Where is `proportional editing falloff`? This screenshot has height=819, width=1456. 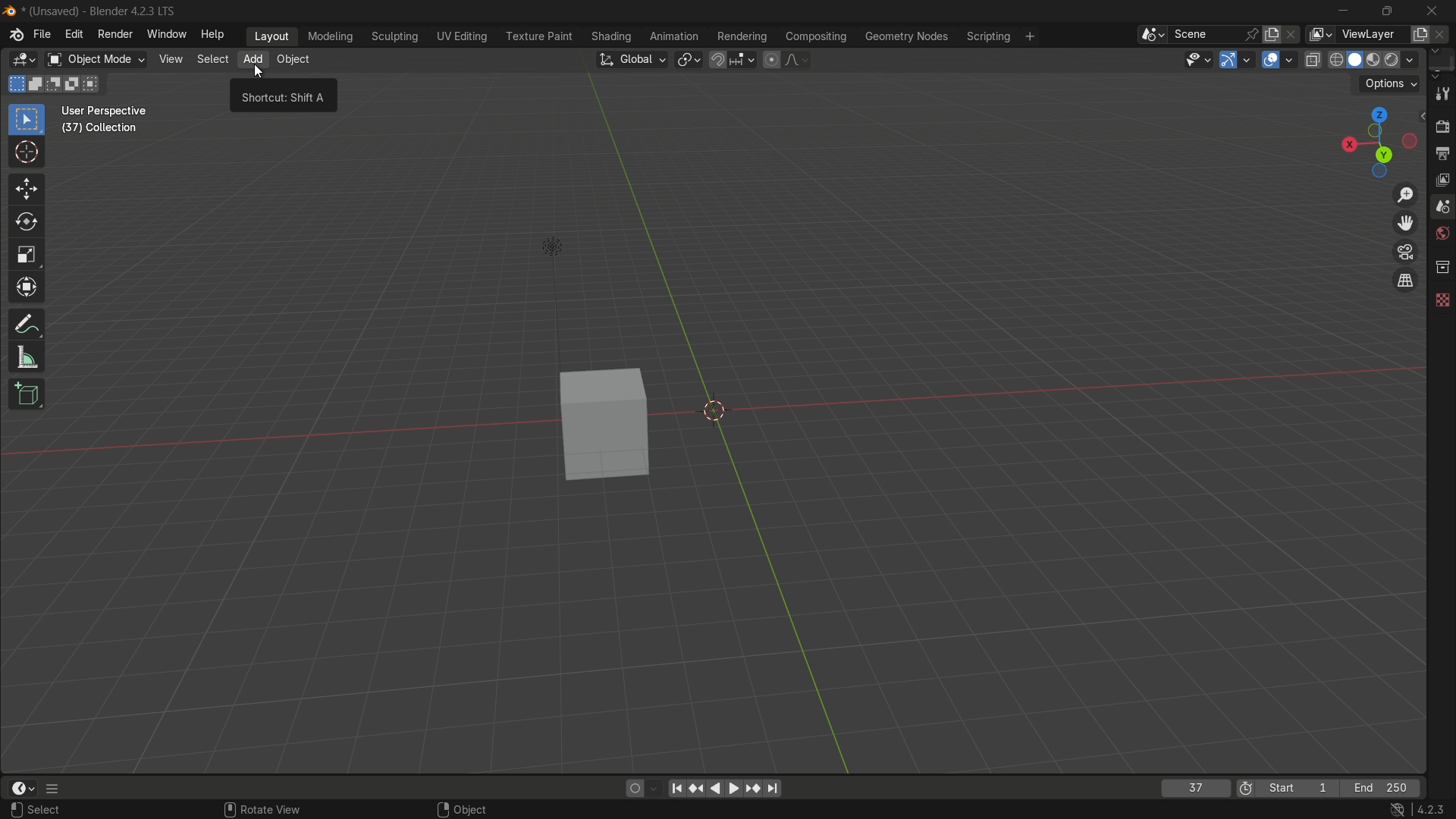
proportional editing falloff is located at coordinates (796, 60).